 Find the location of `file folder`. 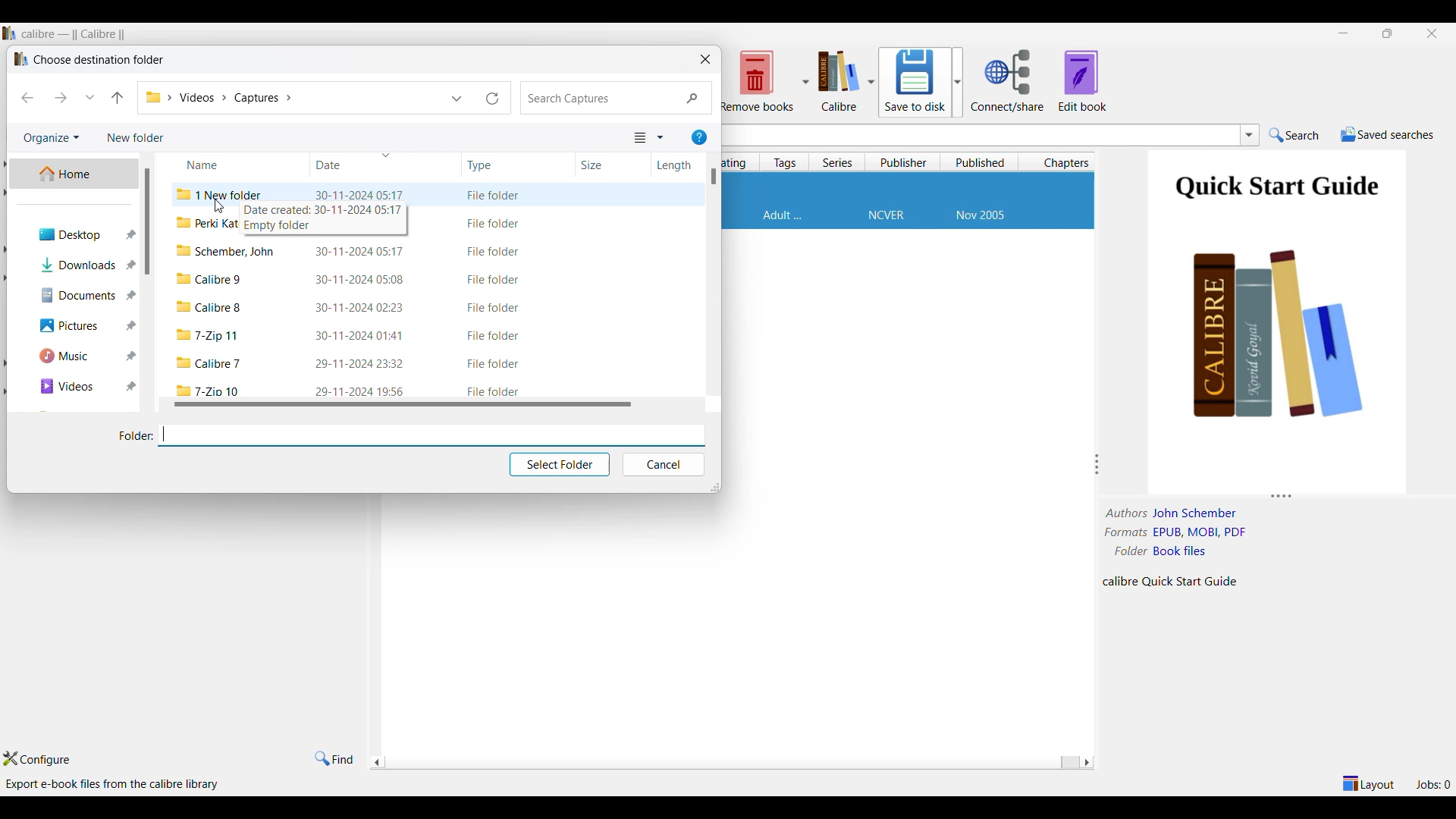

file folder is located at coordinates (495, 280).